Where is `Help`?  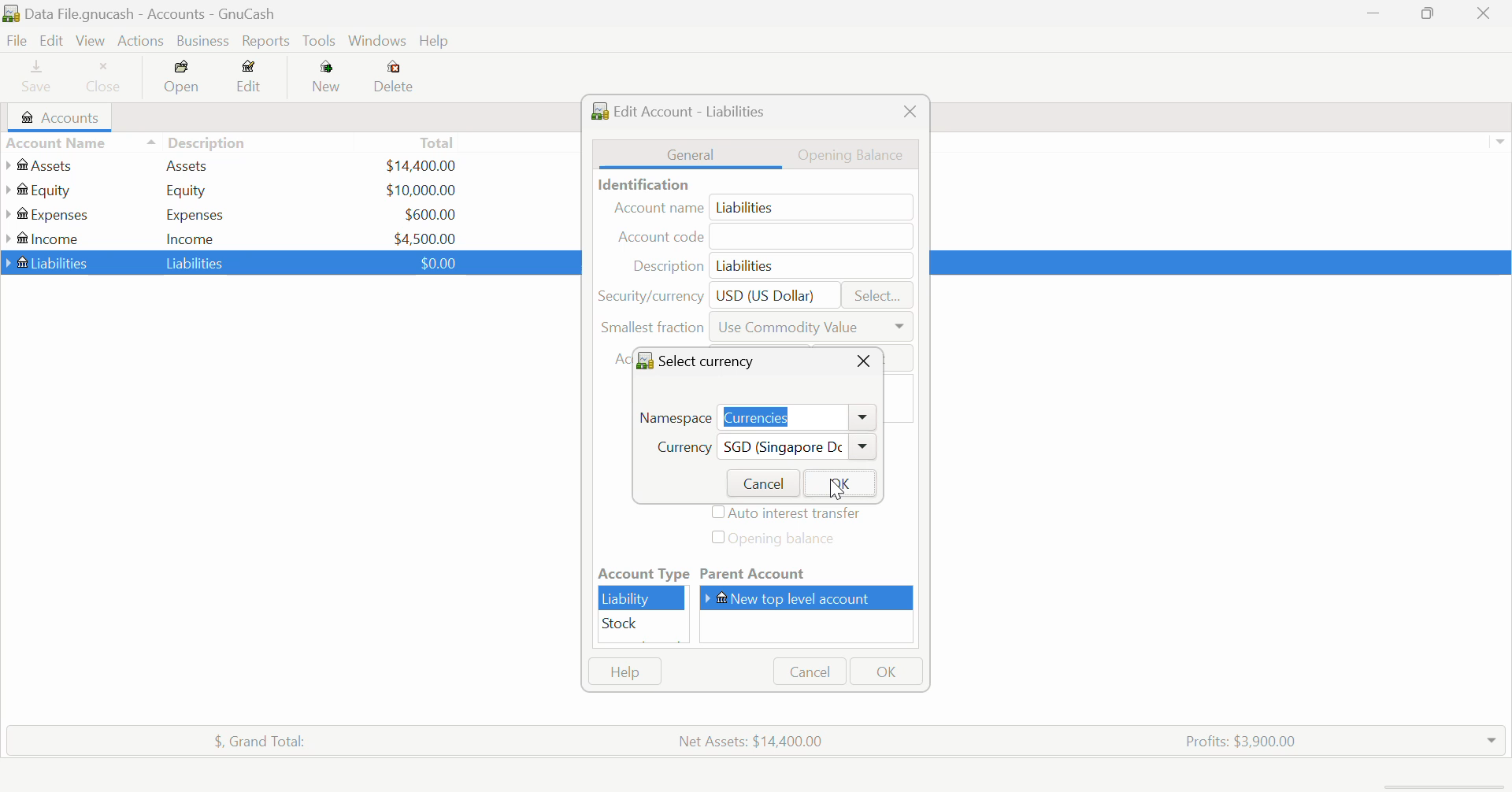 Help is located at coordinates (624, 672).